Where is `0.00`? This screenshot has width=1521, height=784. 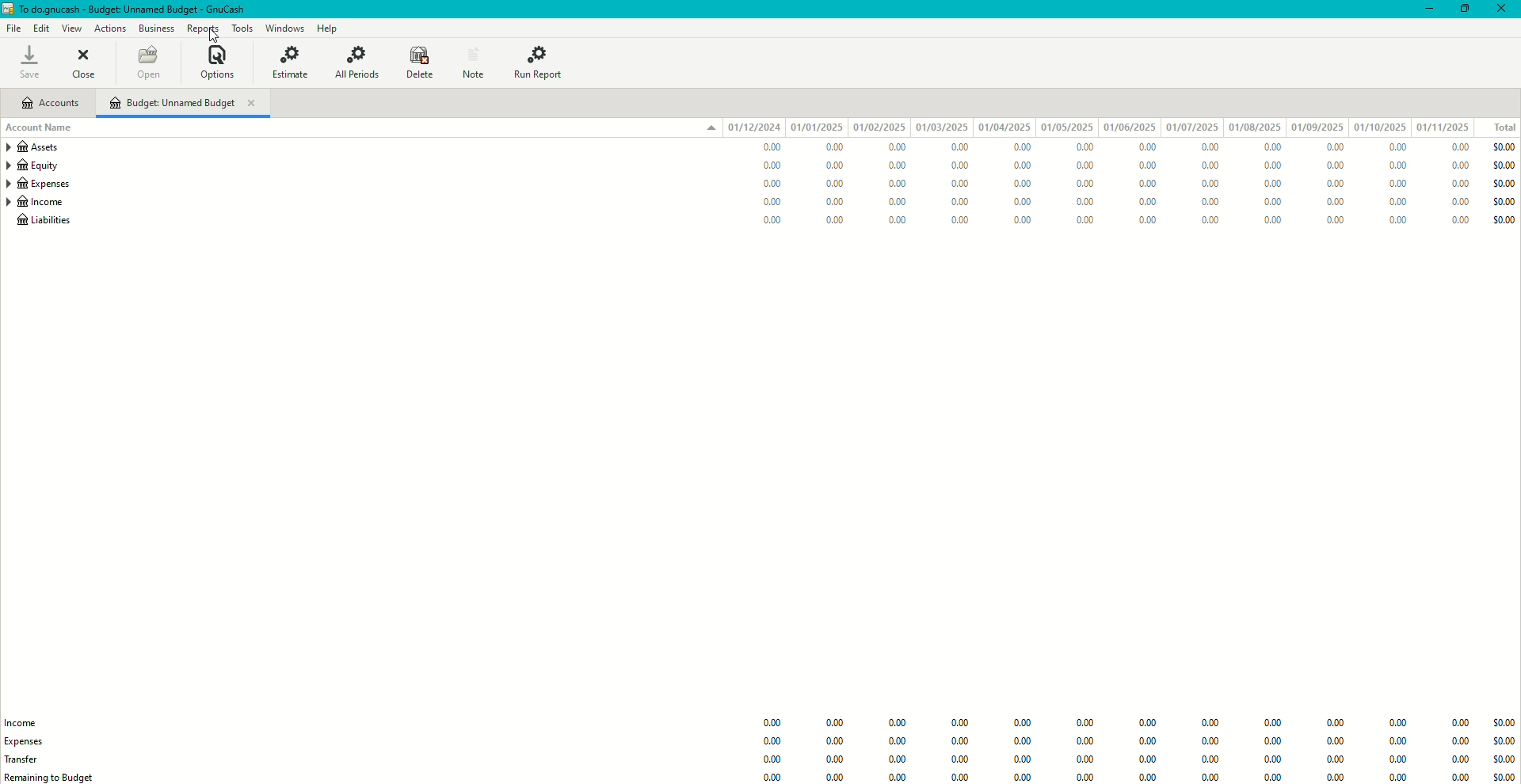 0.00 is located at coordinates (1082, 166).